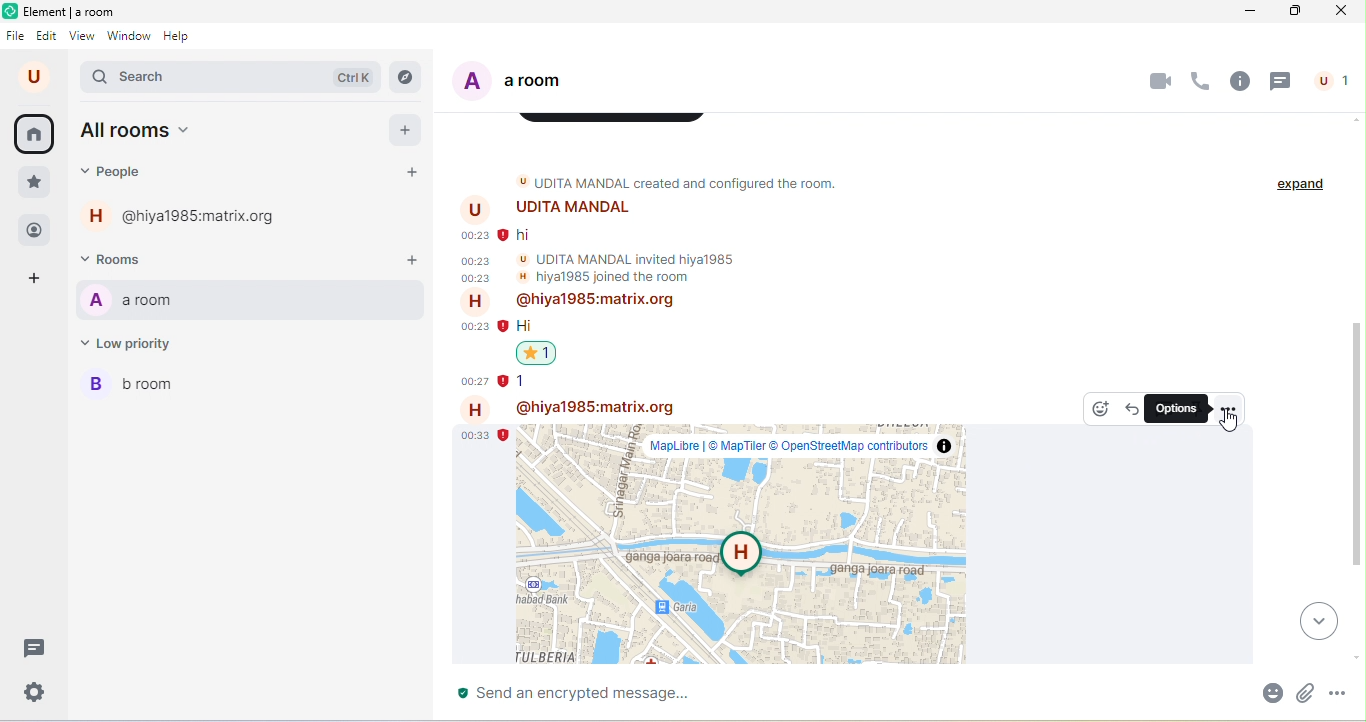 This screenshot has height=722, width=1366. What do you see at coordinates (1281, 82) in the screenshot?
I see `thread` at bounding box center [1281, 82].